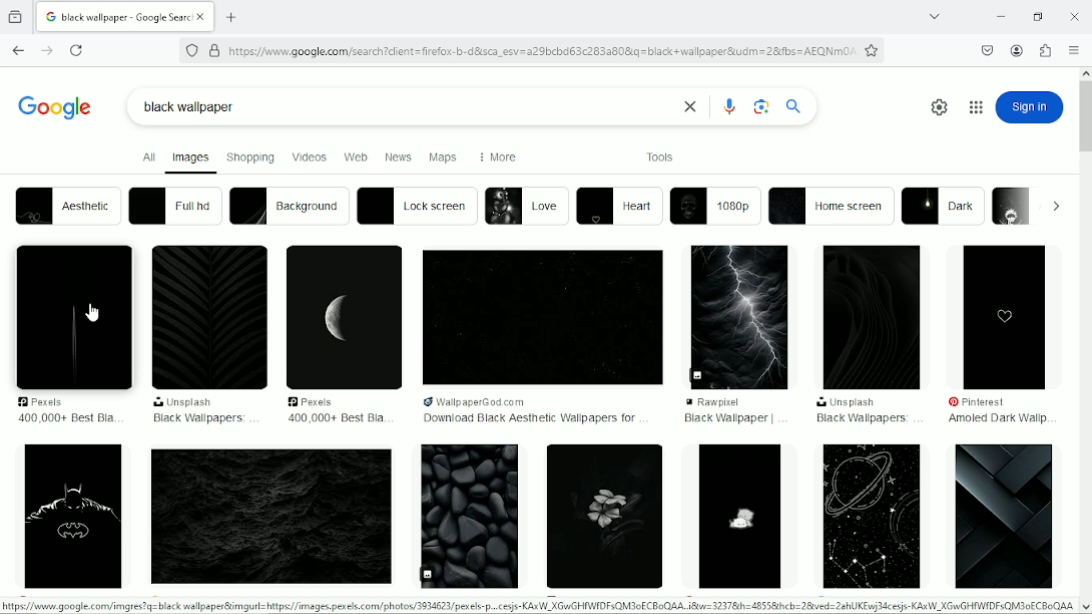 Image resolution: width=1092 pixels, height=614 pixels. I want to click on videos, so click(309, 156).